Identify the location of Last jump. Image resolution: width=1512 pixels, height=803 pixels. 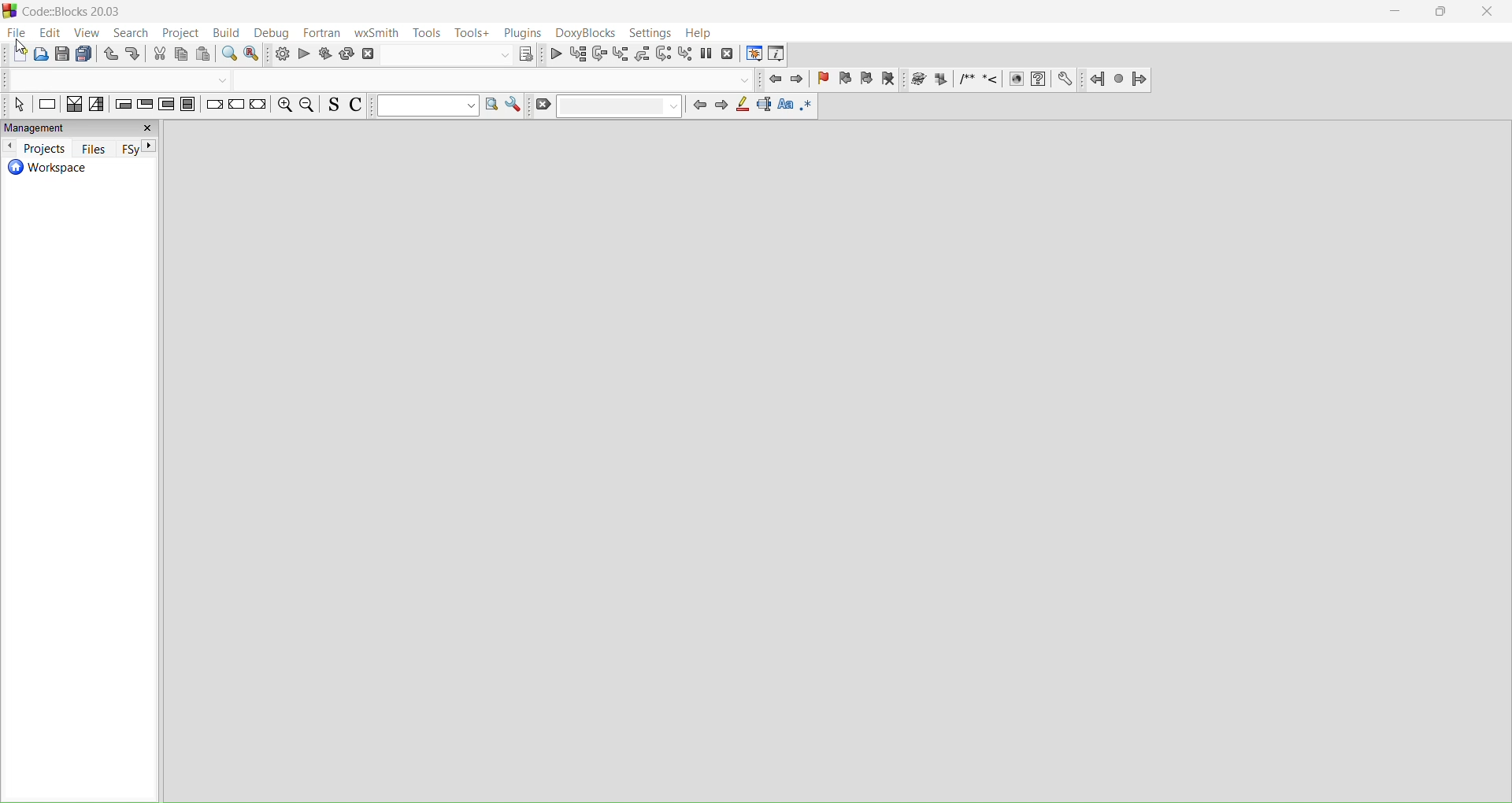
(1119, 79).